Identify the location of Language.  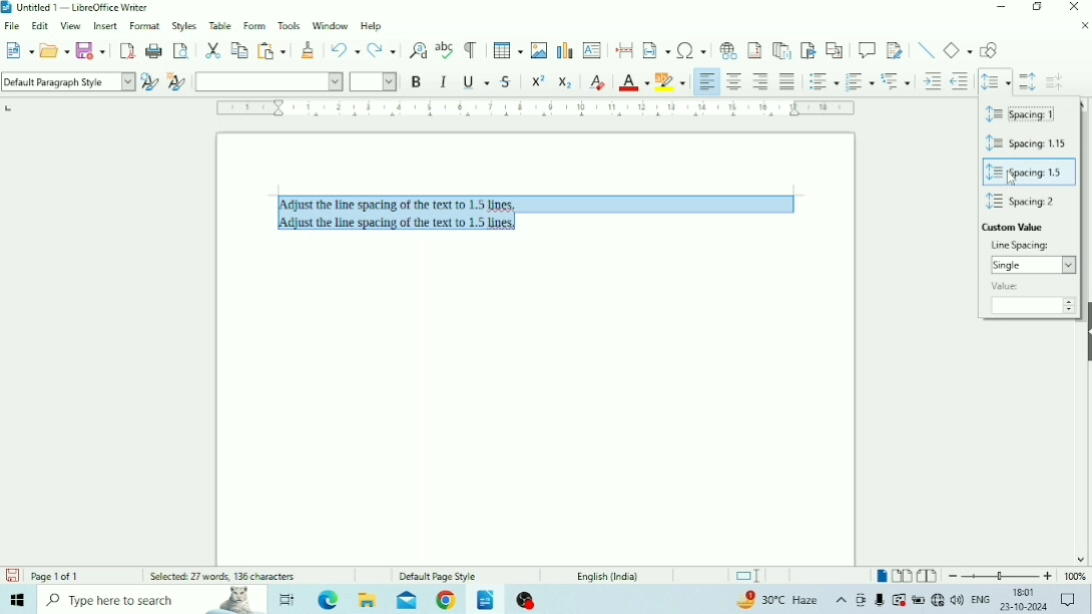
(608, 576).